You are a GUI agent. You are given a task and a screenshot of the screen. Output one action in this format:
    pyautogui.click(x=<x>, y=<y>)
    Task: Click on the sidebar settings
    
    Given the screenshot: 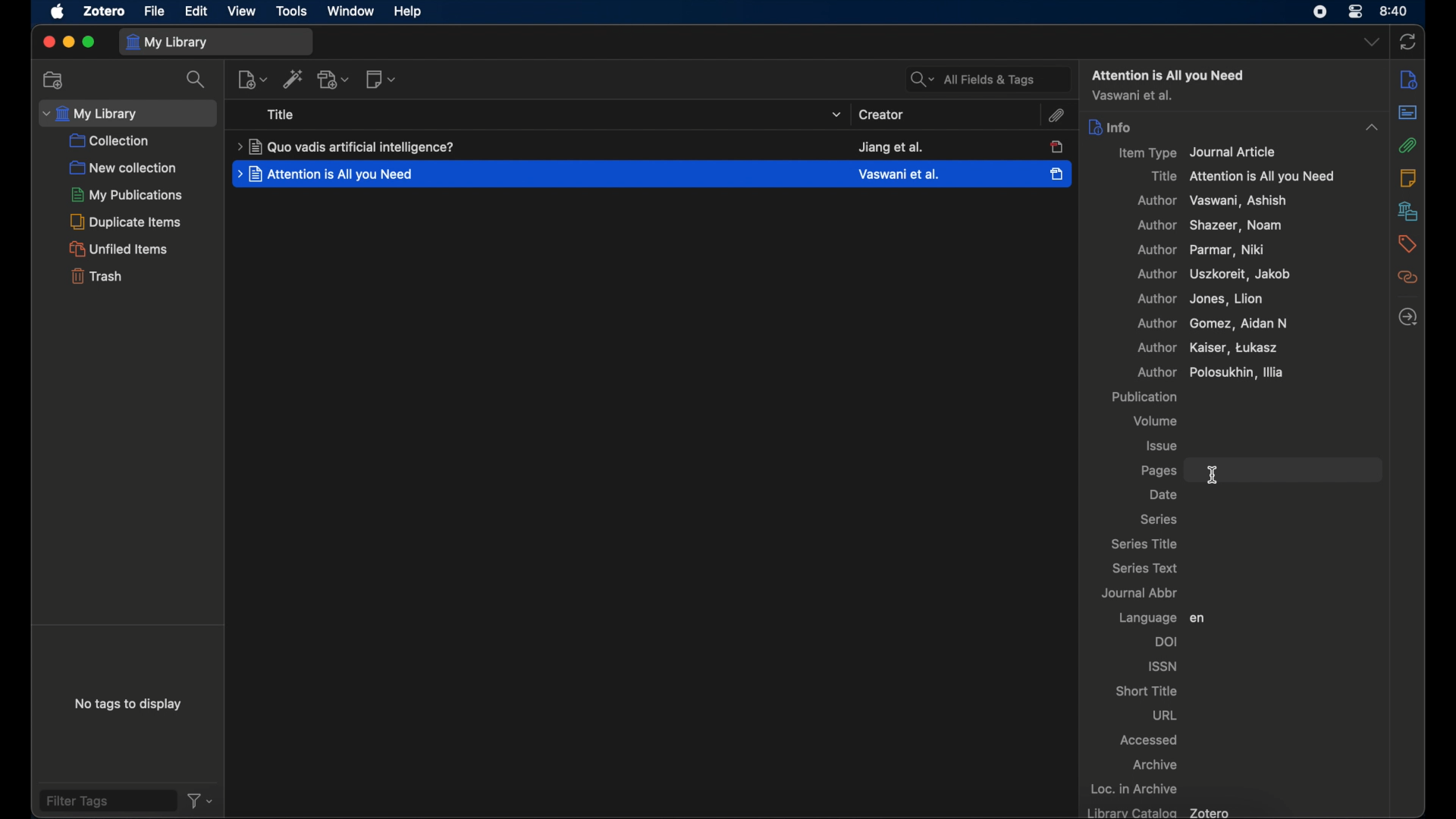 What is the action you would take?
    pyautogui.click(x=1408, y=80)
    